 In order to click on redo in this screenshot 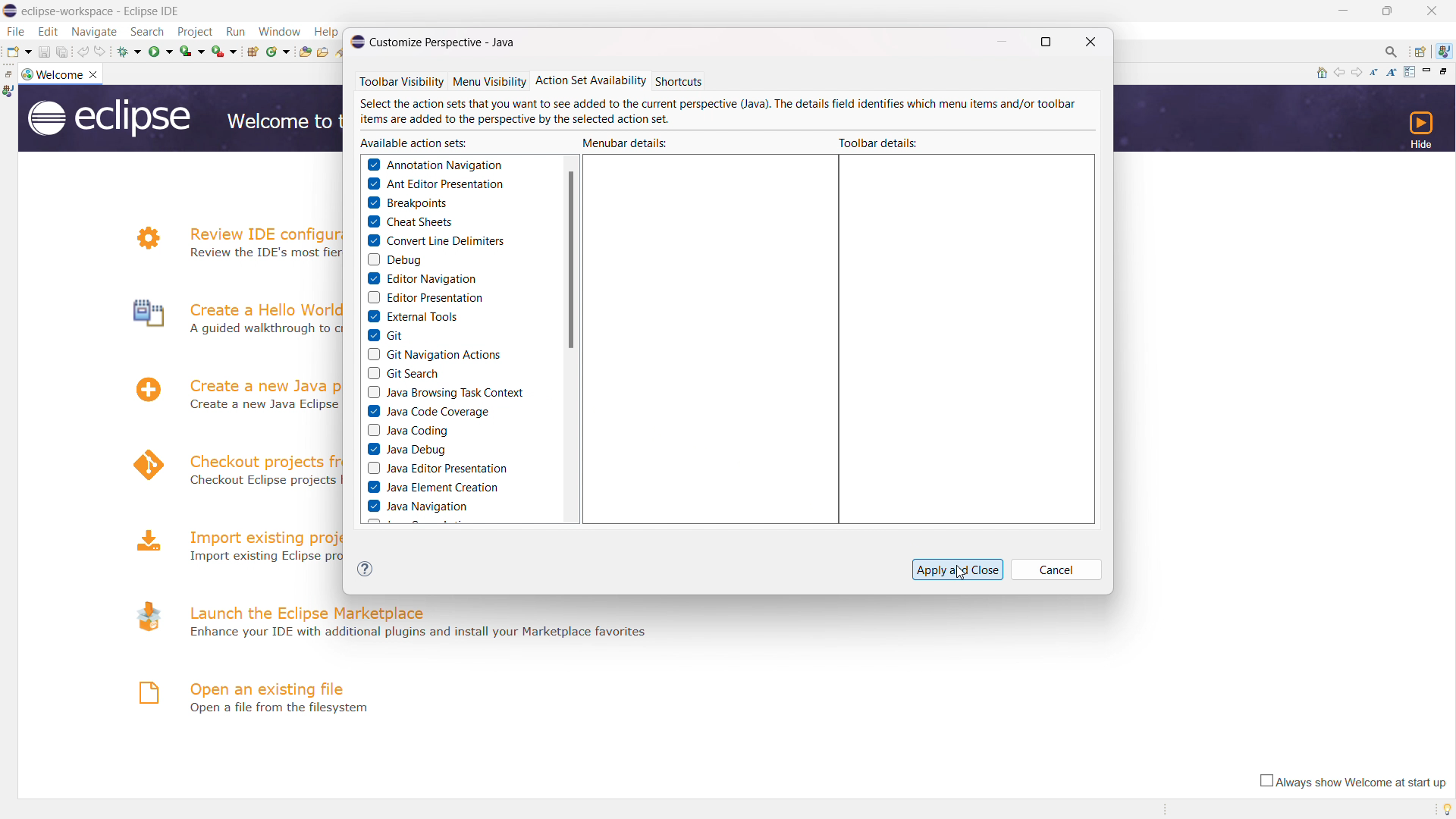, I will do `click(102, 52)`.